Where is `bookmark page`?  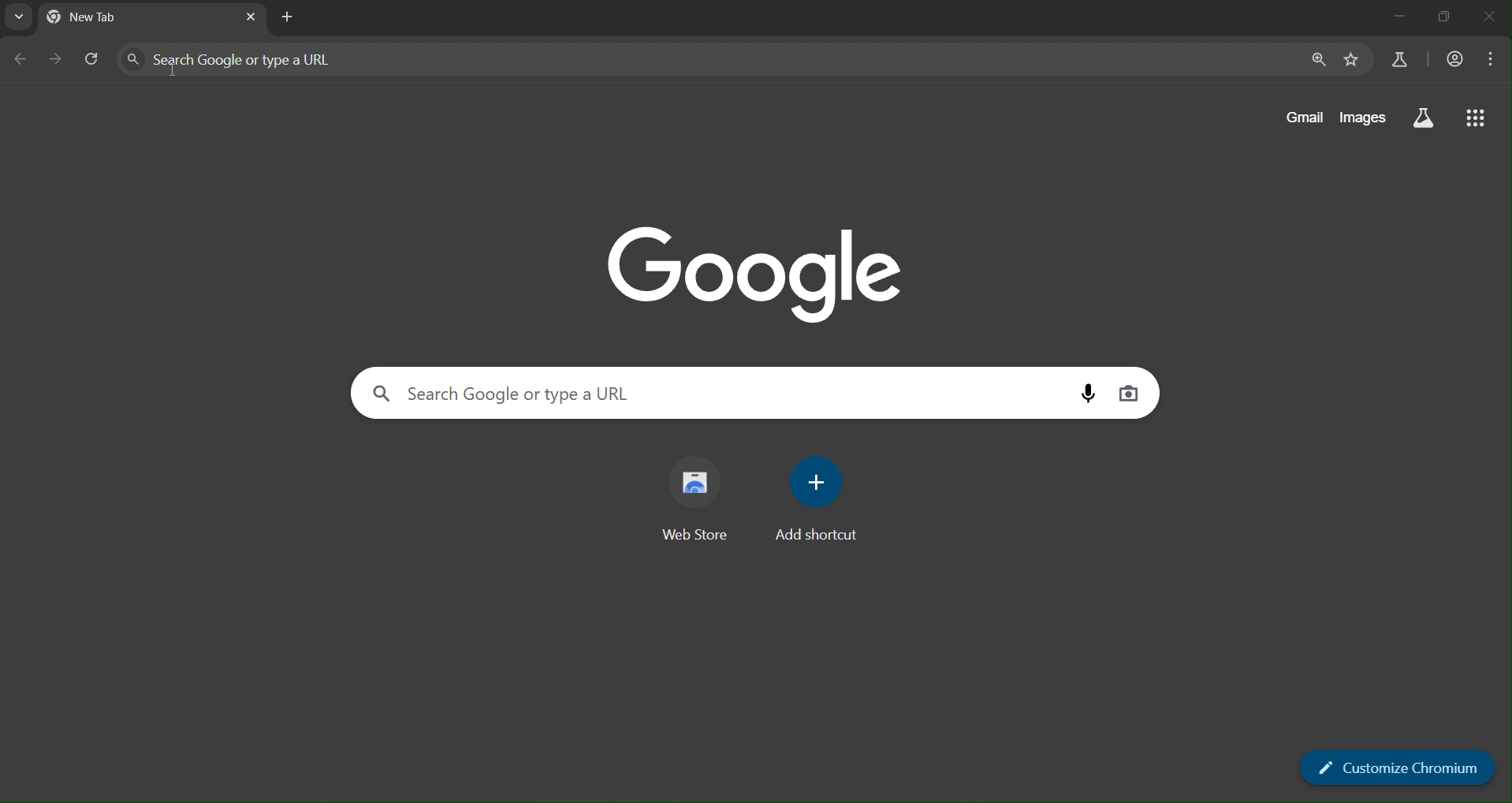
bookmark page is located at coordinates (1351, 59).